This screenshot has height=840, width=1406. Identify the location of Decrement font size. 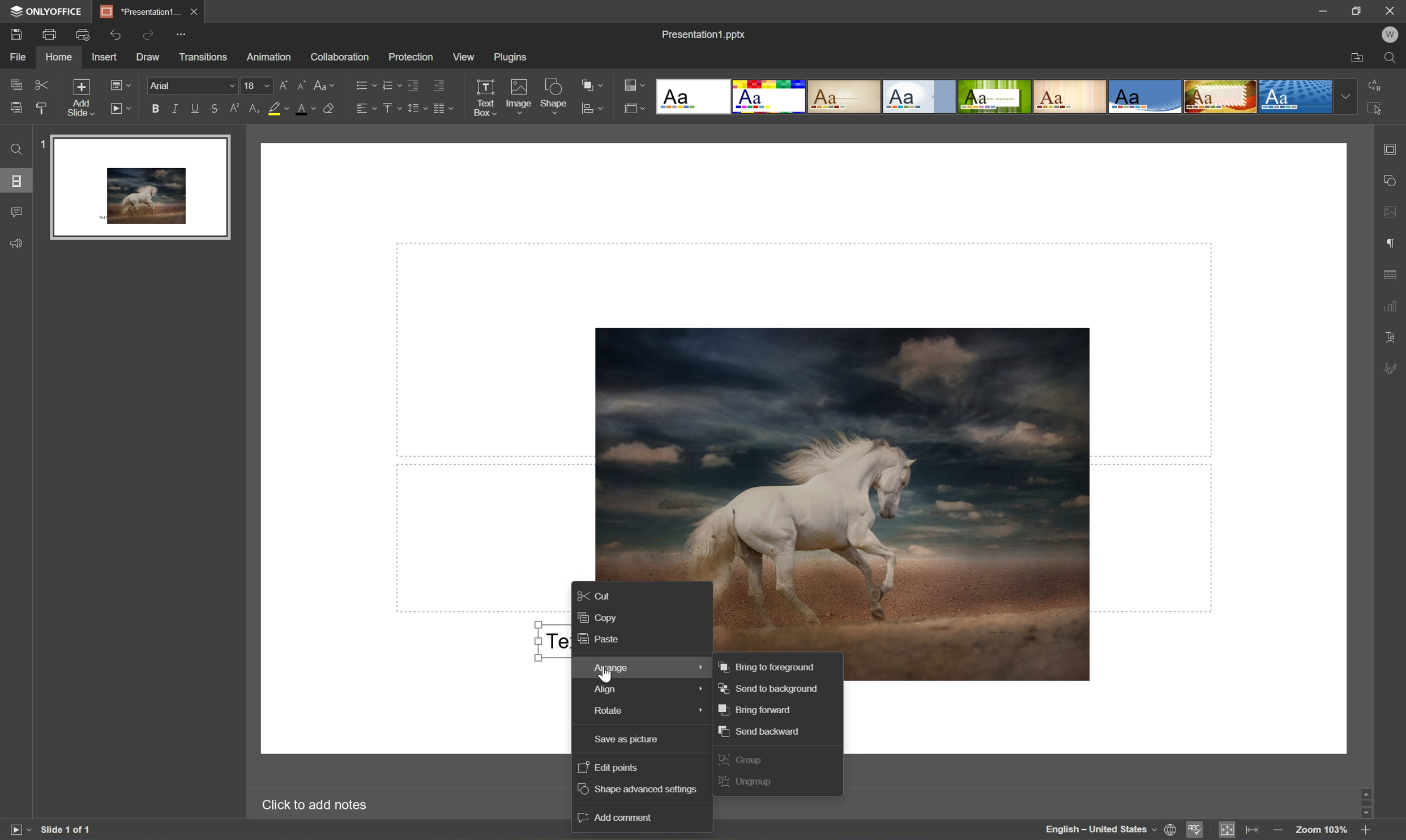
(304, 87).